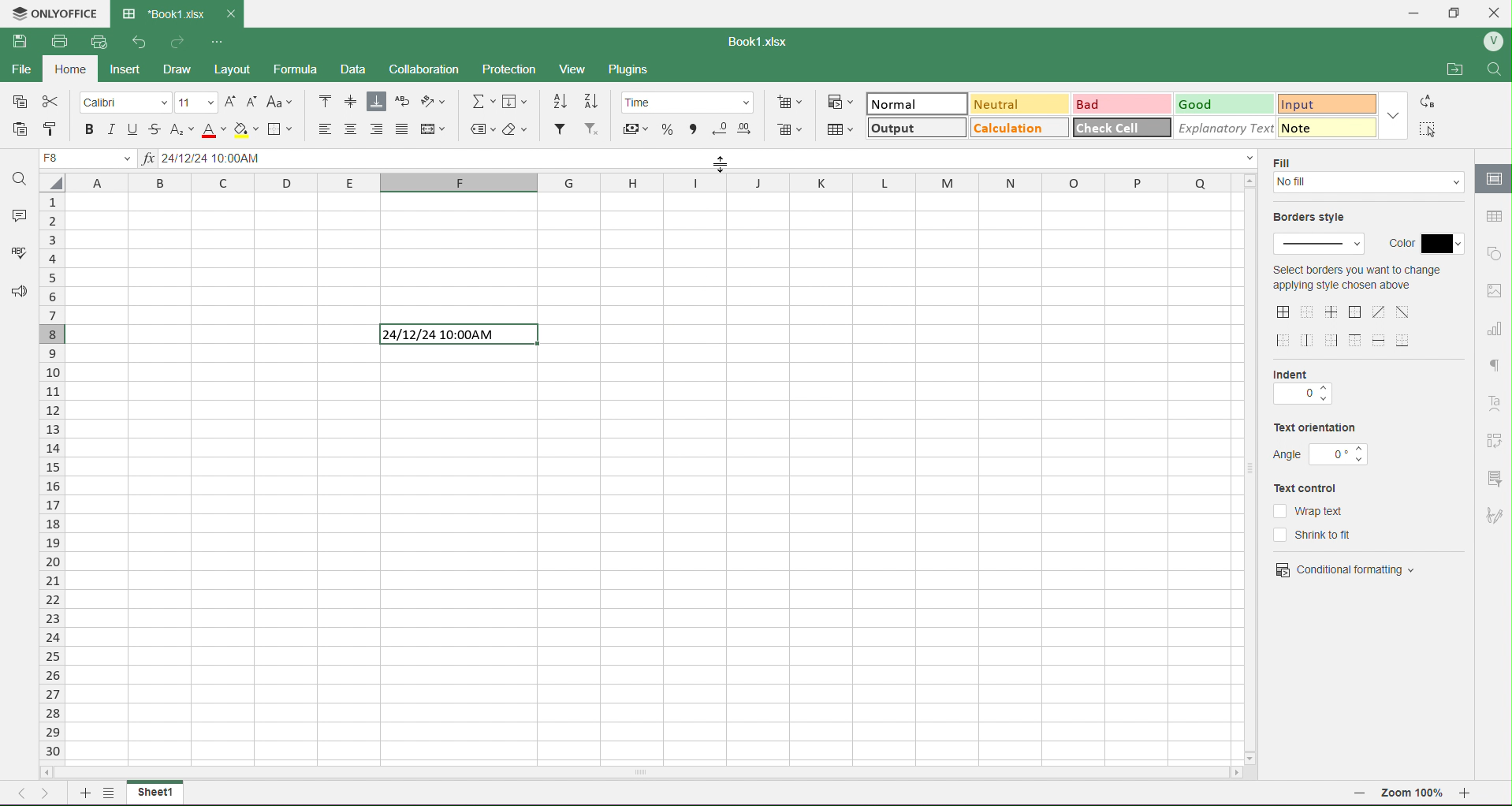 This screenshot has height=806, width=1512. Describe the element at coordinates (1446, 65) in the screenshot. I see `Open File Location` at that location.